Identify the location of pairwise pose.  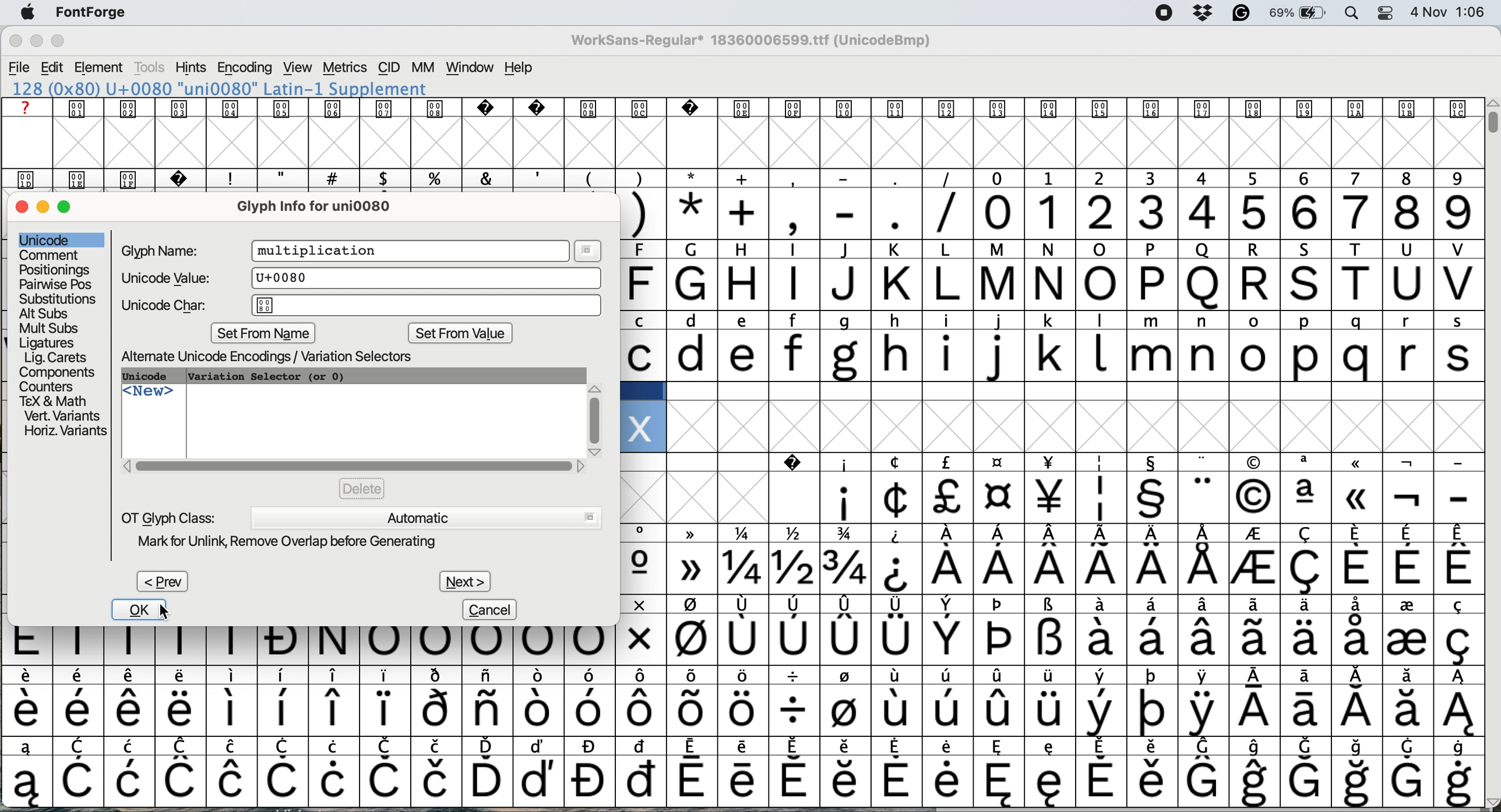
(57, 284).